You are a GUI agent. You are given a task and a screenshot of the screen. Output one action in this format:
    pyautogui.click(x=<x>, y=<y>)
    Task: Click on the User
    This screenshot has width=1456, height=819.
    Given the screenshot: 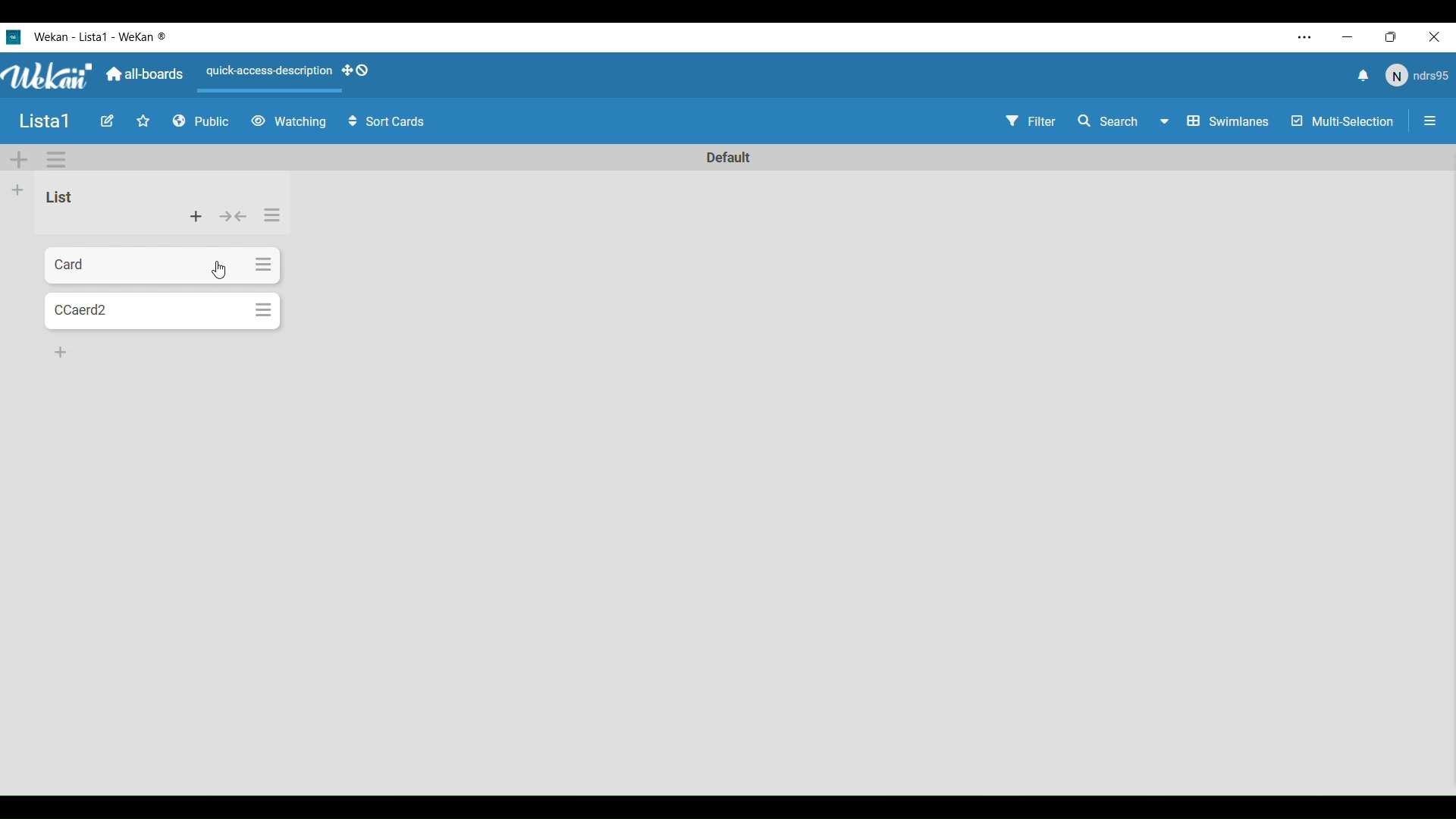 What is the action you would take?
    pyautogui.click(x=1416, y=76)
    